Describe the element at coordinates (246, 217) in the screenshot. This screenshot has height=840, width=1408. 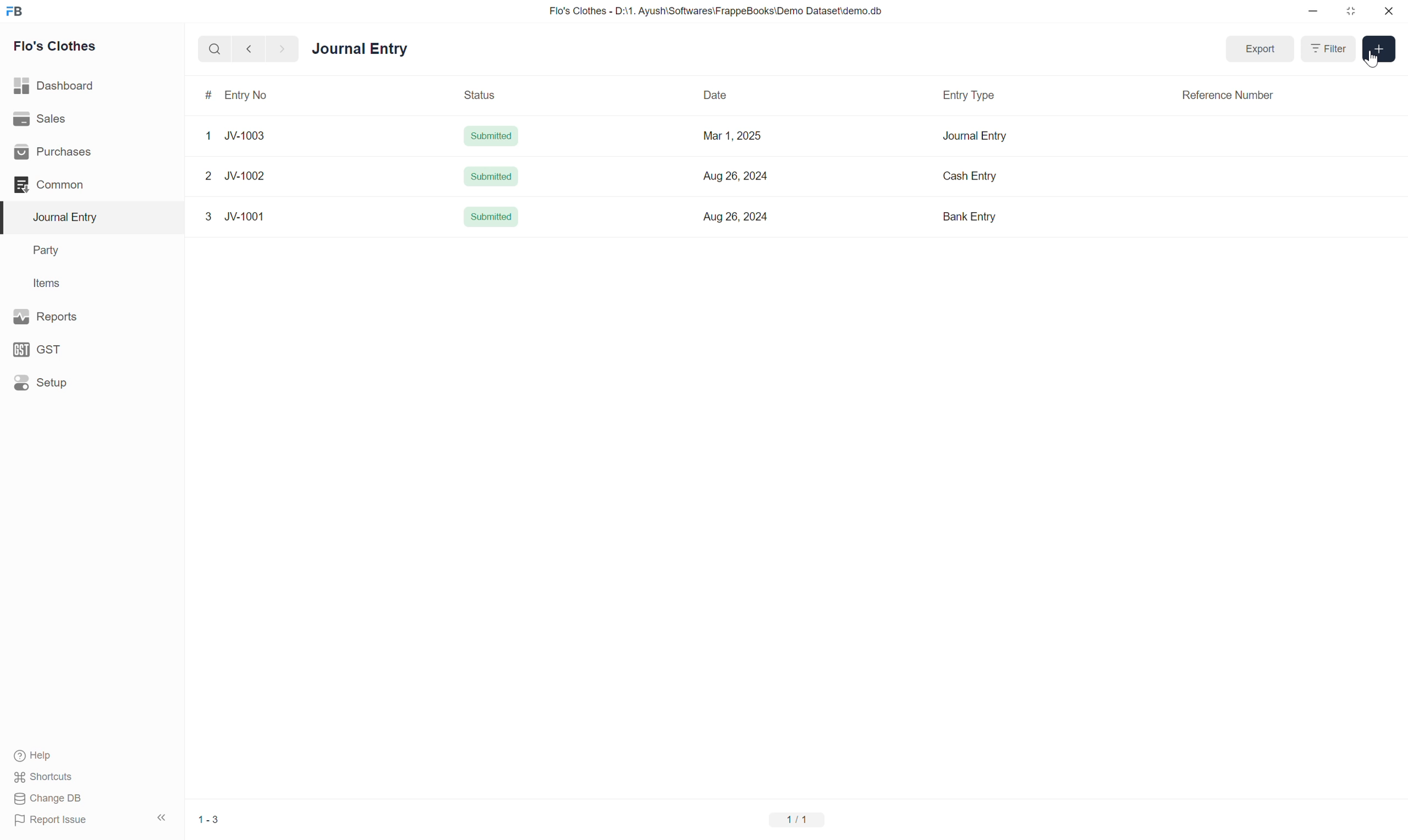
I see `JV-1001` at that location.